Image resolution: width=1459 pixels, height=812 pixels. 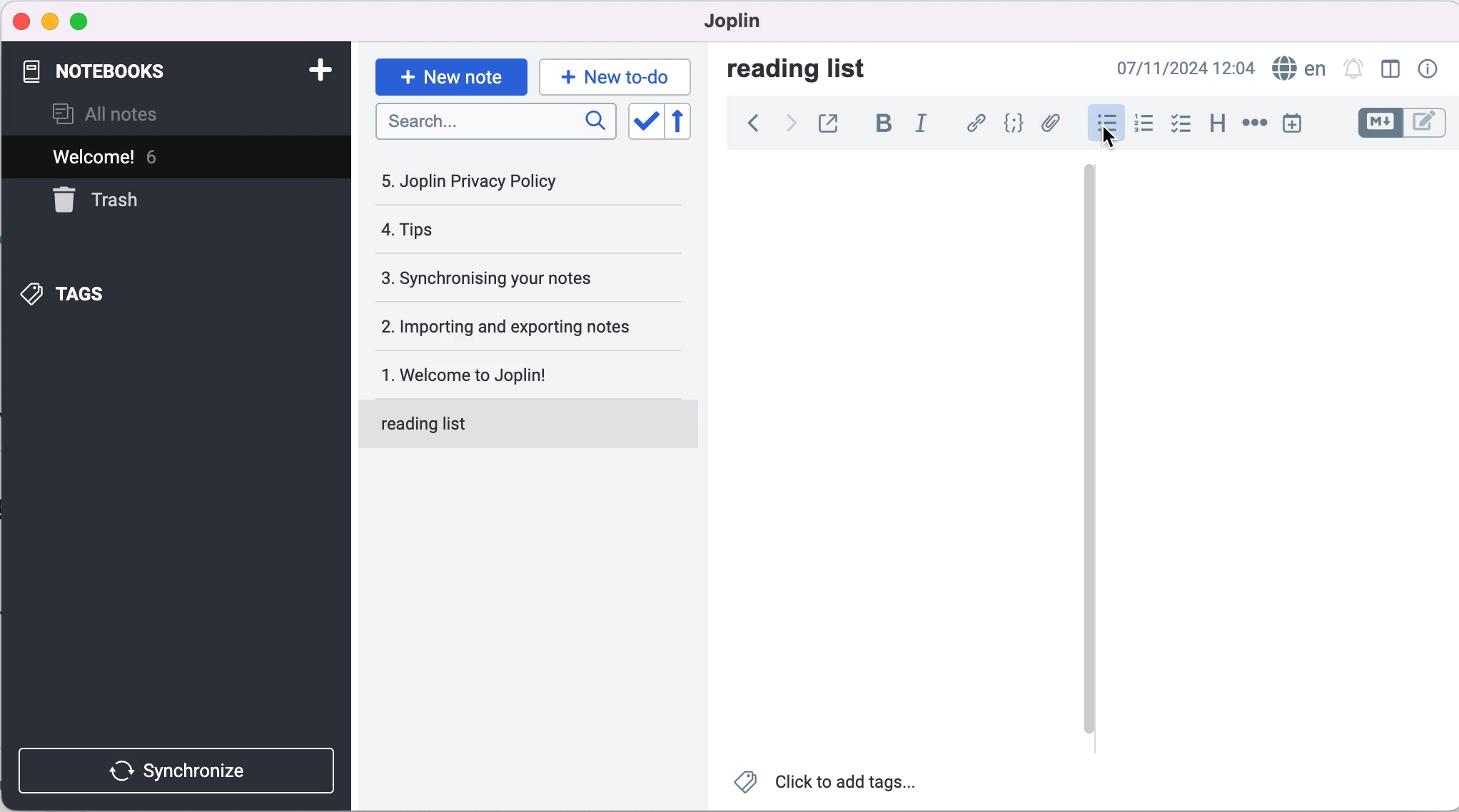 I want to click on hyperlink, so click(x=976, y=123).